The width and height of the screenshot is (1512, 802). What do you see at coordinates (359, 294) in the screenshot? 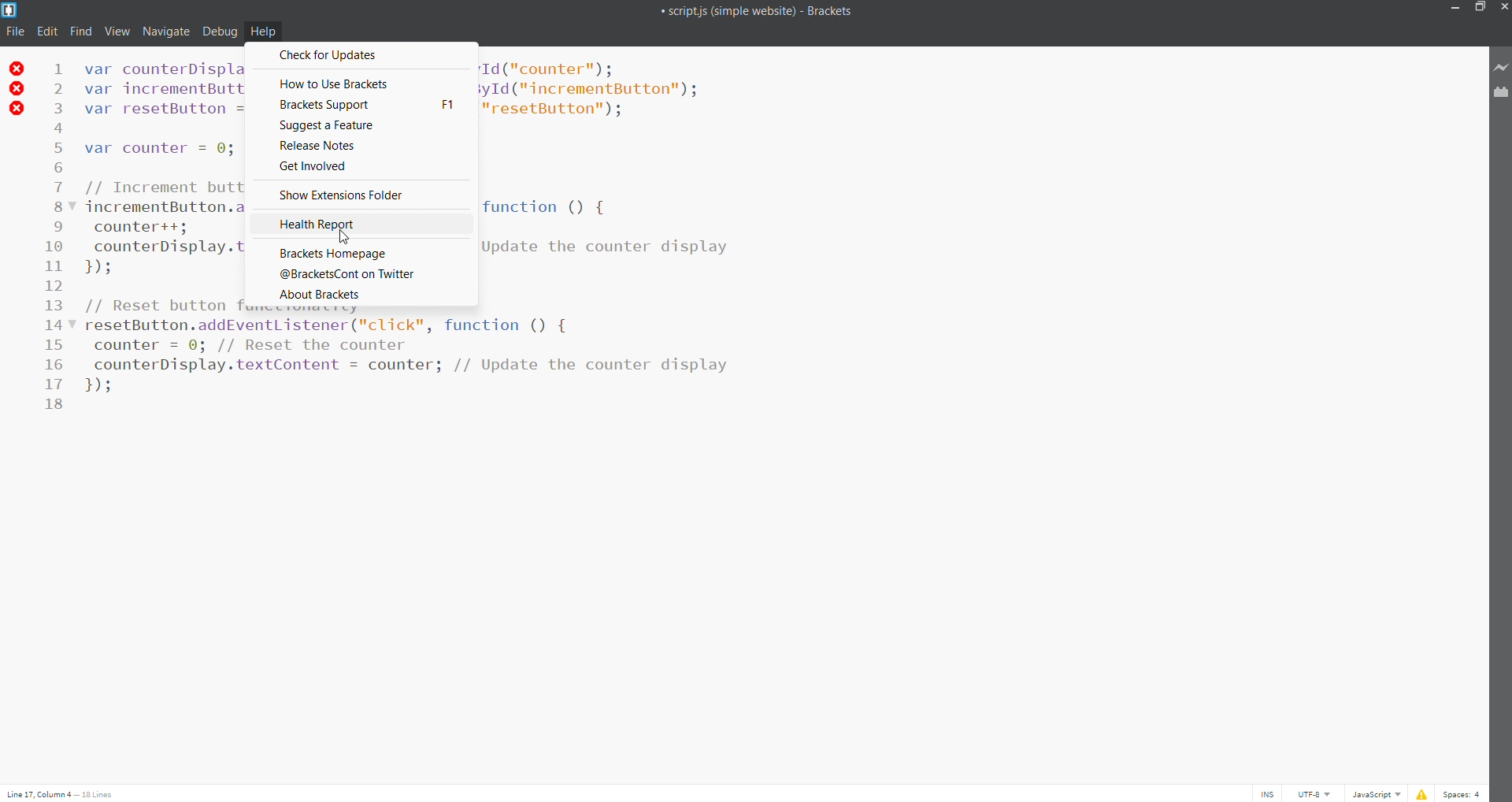
I see `about brackets` at bounding box center [359, 294].